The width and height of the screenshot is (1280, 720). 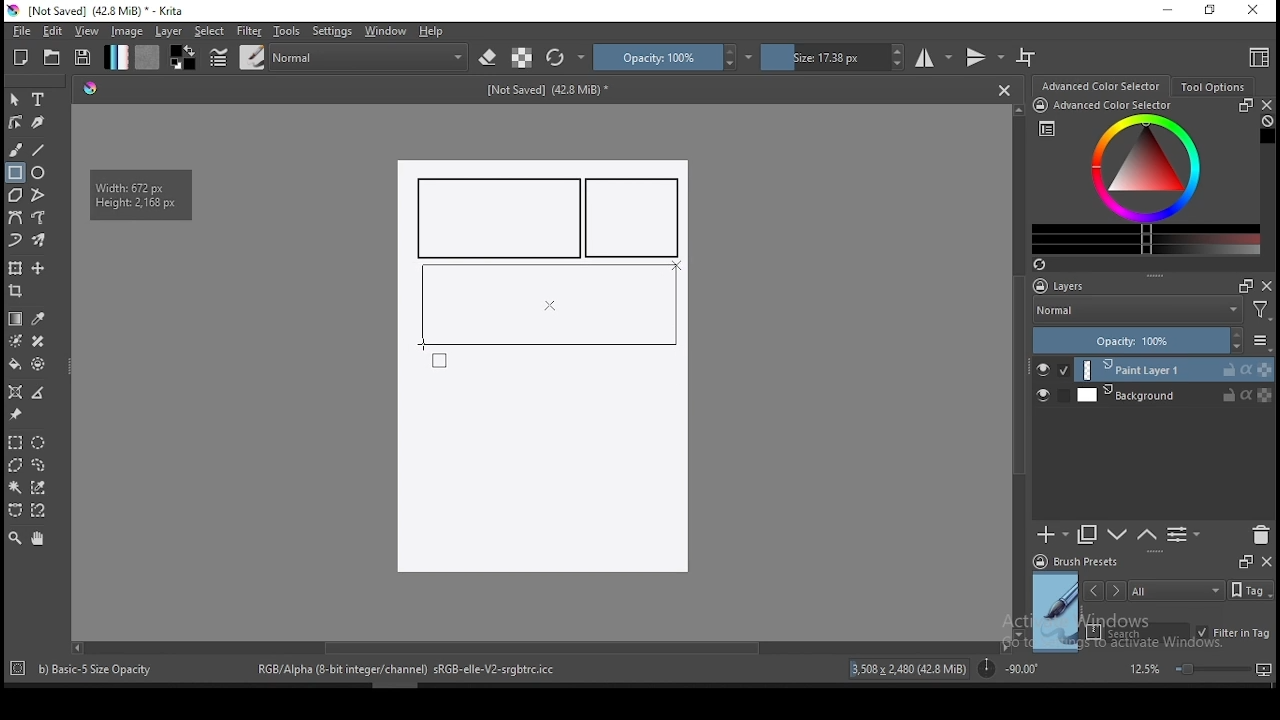 What do you see at coordinates (39, 319) in the screenshot?
I see `pick a color from image and current layer` at bounding box center [39, 319].